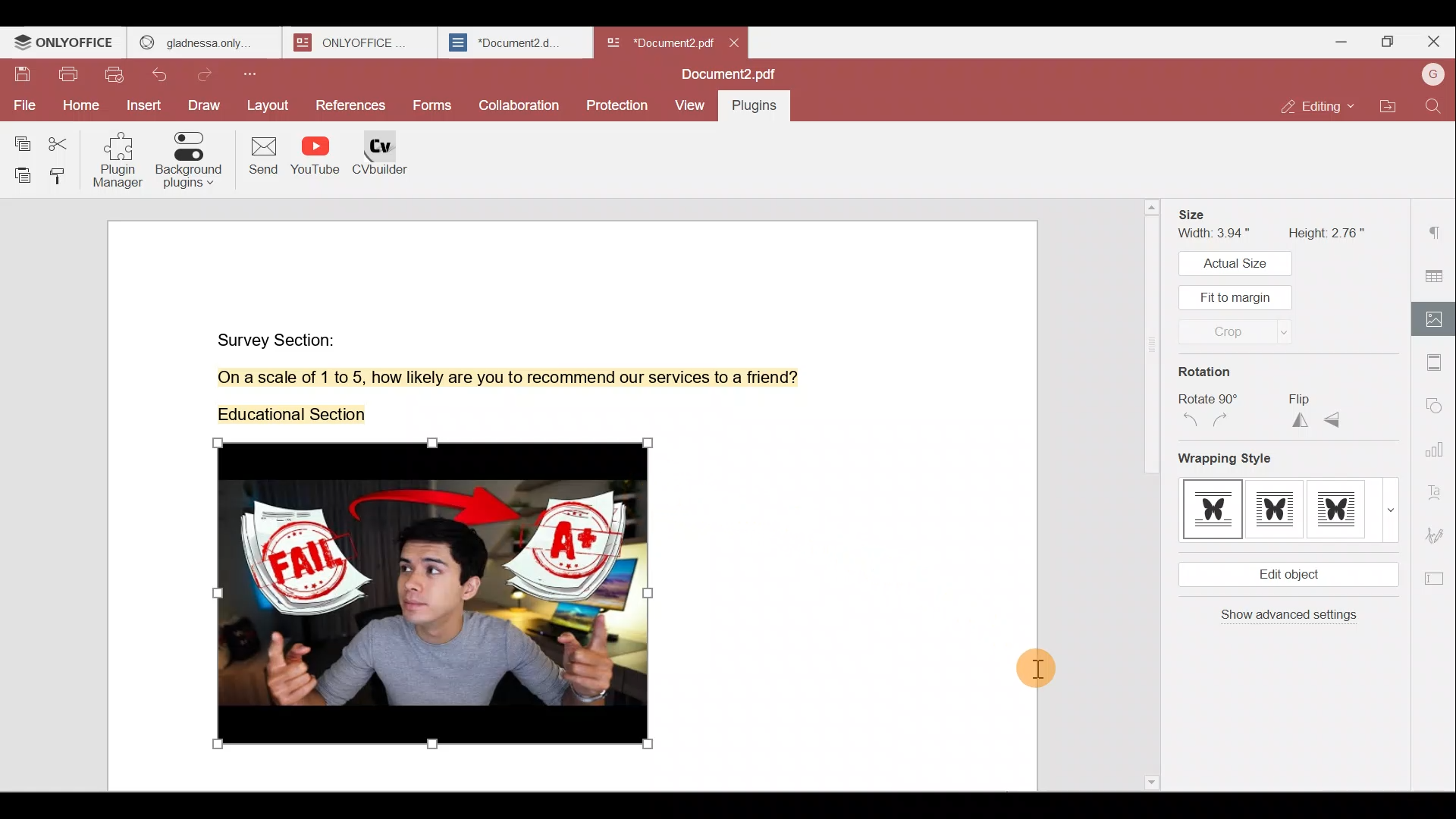 This screenshot has width=1456, height=819. Describe the element at coordinates (1389, 108) in the screenshot. I see `Open file location` at that location.